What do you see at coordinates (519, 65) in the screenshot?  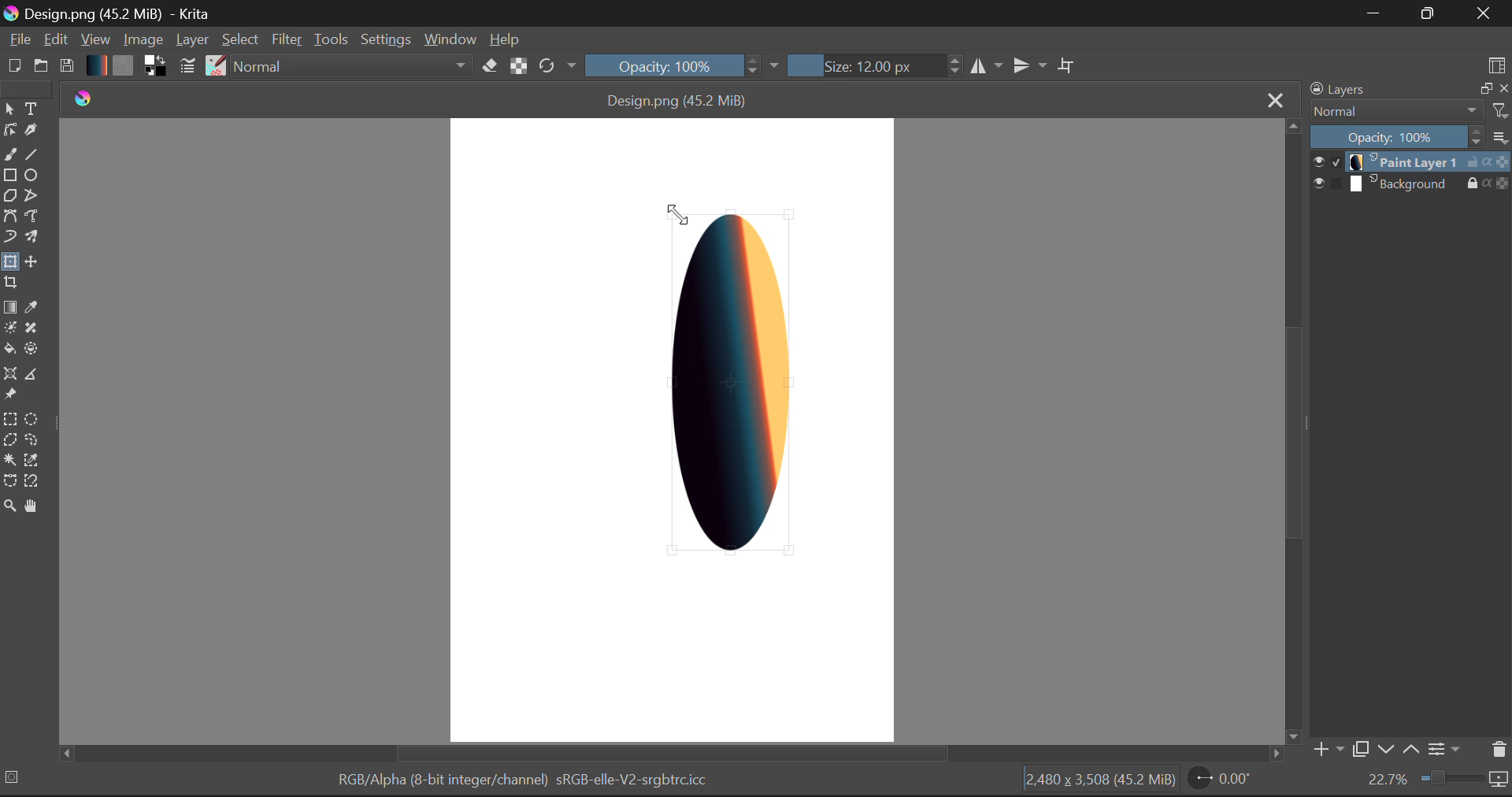 I see `Lock Alpha` at bounding box center [519, 65].